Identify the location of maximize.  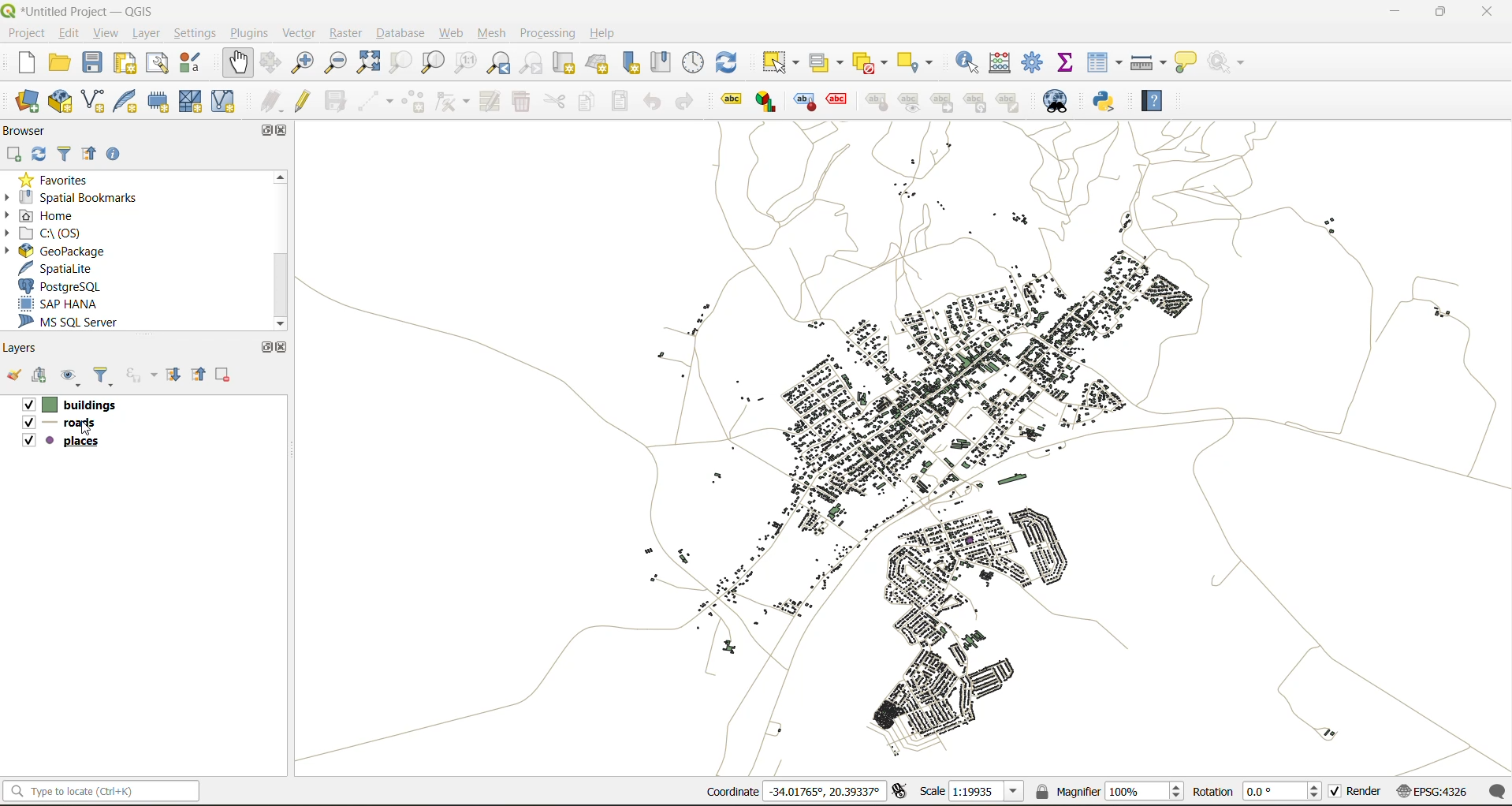
(269, 129).